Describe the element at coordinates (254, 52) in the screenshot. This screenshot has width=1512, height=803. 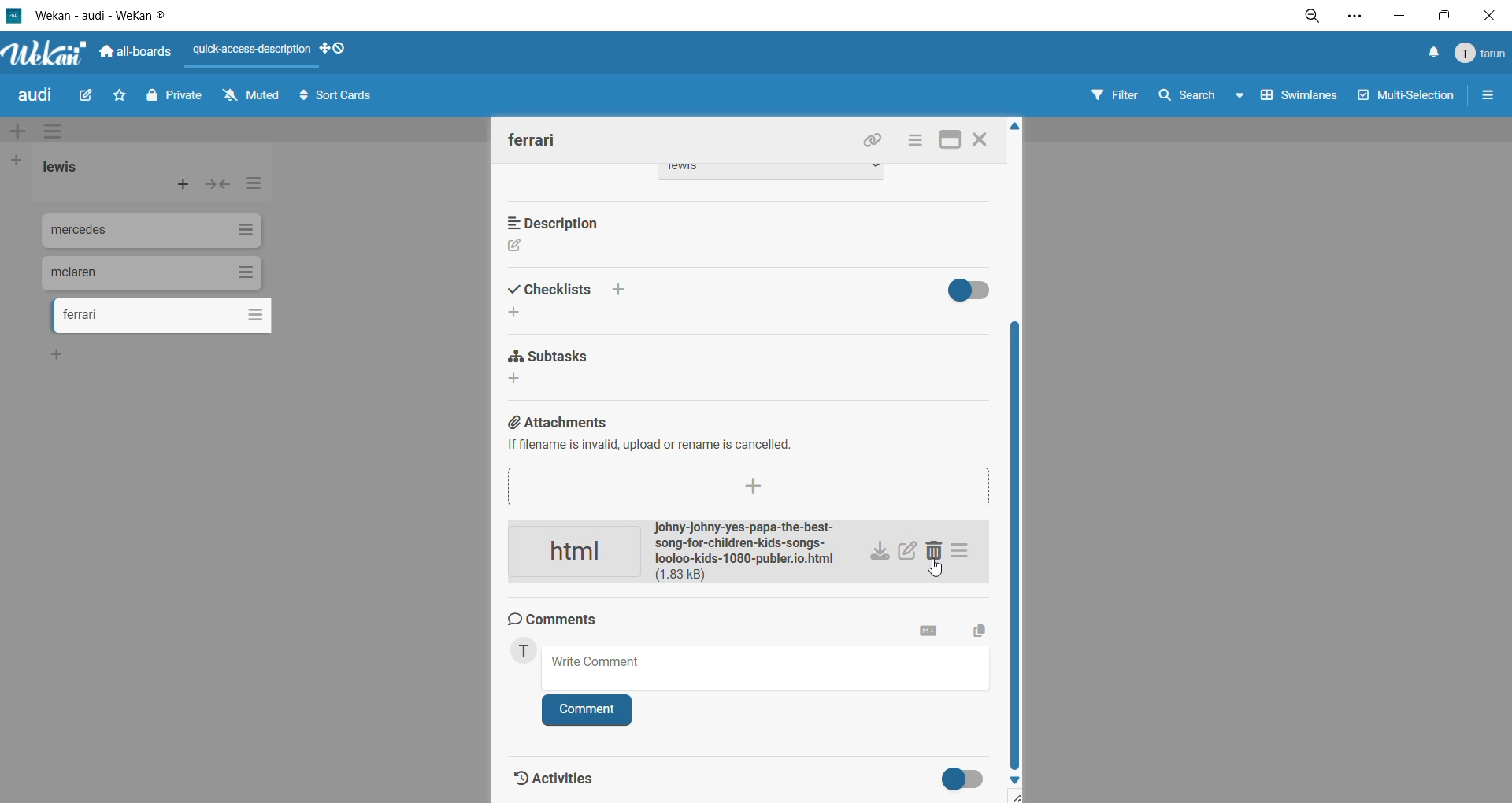
I see `quick access description` at that location.